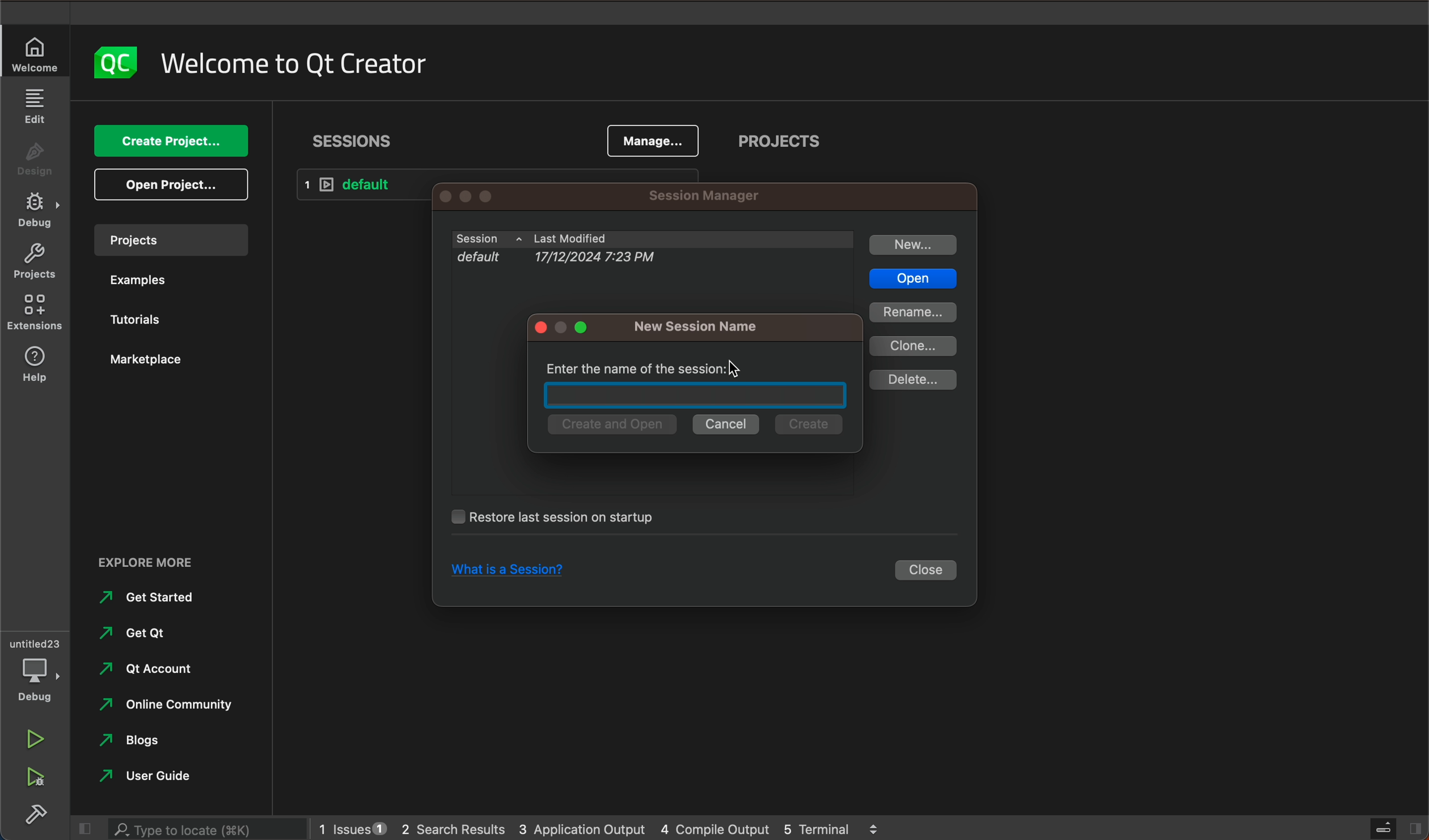 This screenshot has width=1429, height=840. I want to click on create, so click(806, 426).